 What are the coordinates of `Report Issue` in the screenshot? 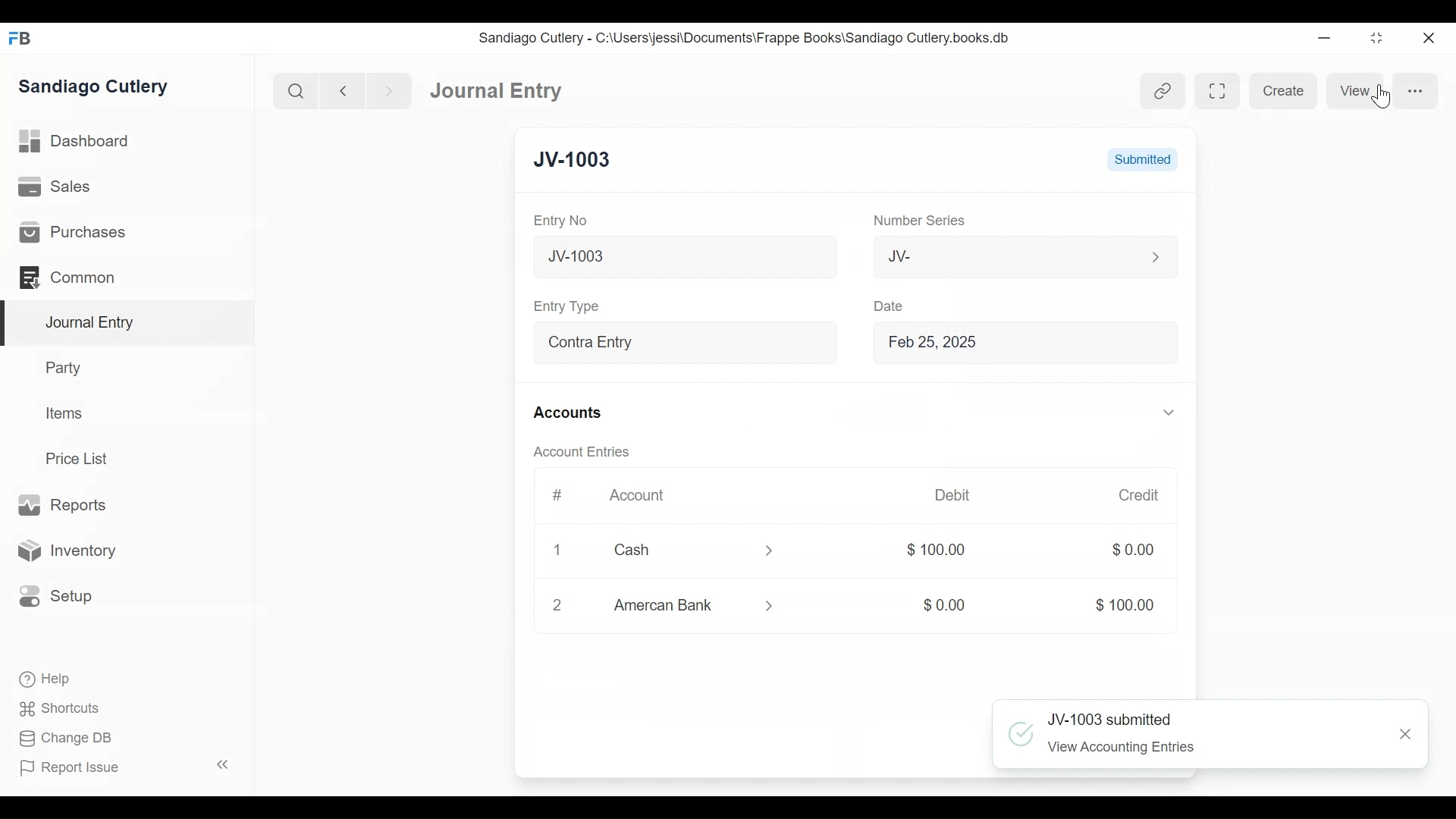 It's located at (124, 767).